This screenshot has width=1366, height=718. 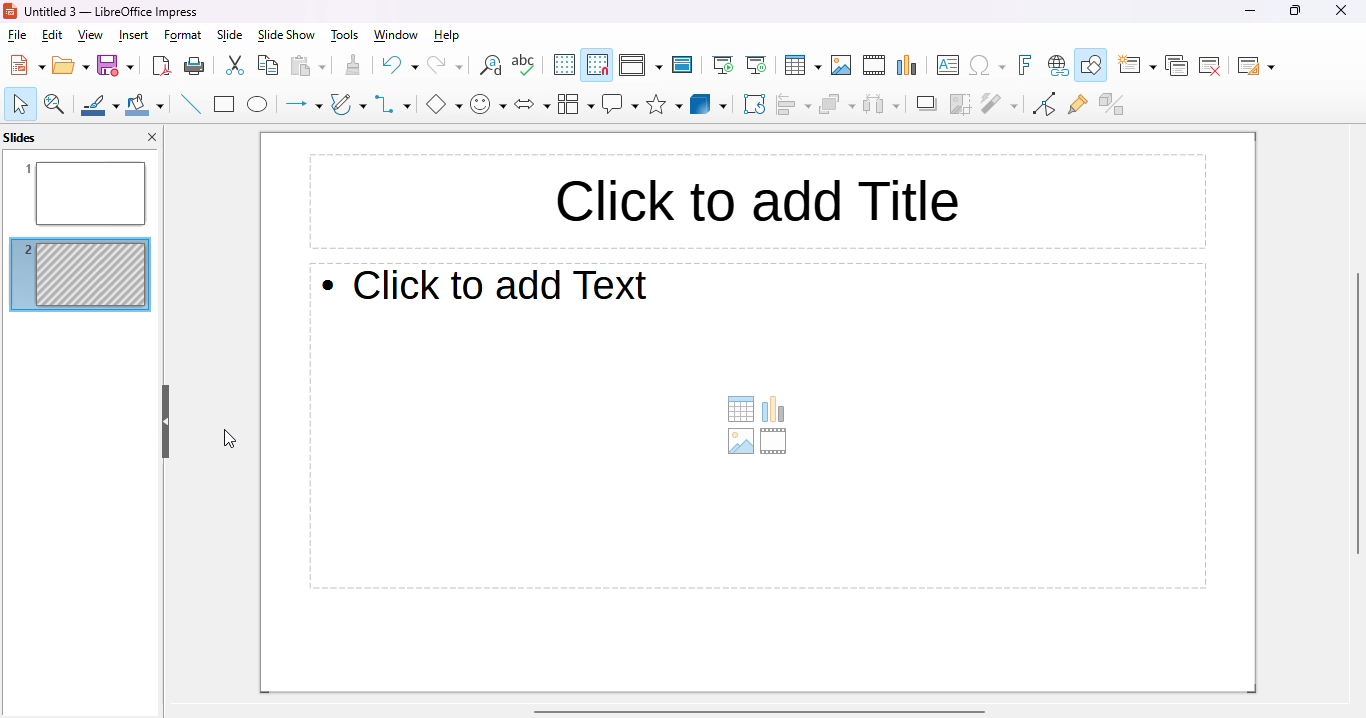 What do you see at coordinates (154, 136) in the screenshot?
I see `close pane` at bounding box center [154, 136].